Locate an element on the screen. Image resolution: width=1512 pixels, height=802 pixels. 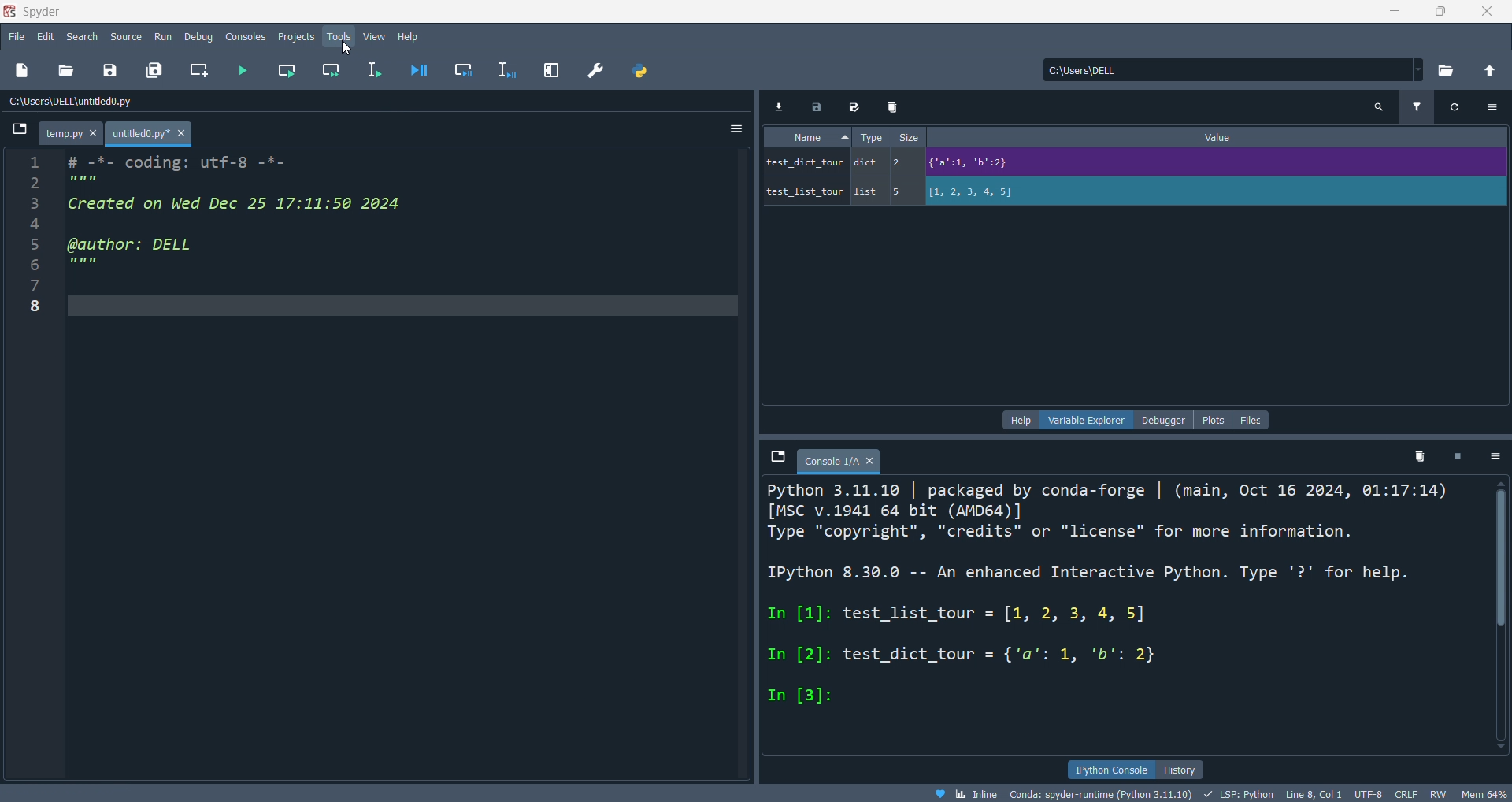
save data as is located at coordinates (857, 108).